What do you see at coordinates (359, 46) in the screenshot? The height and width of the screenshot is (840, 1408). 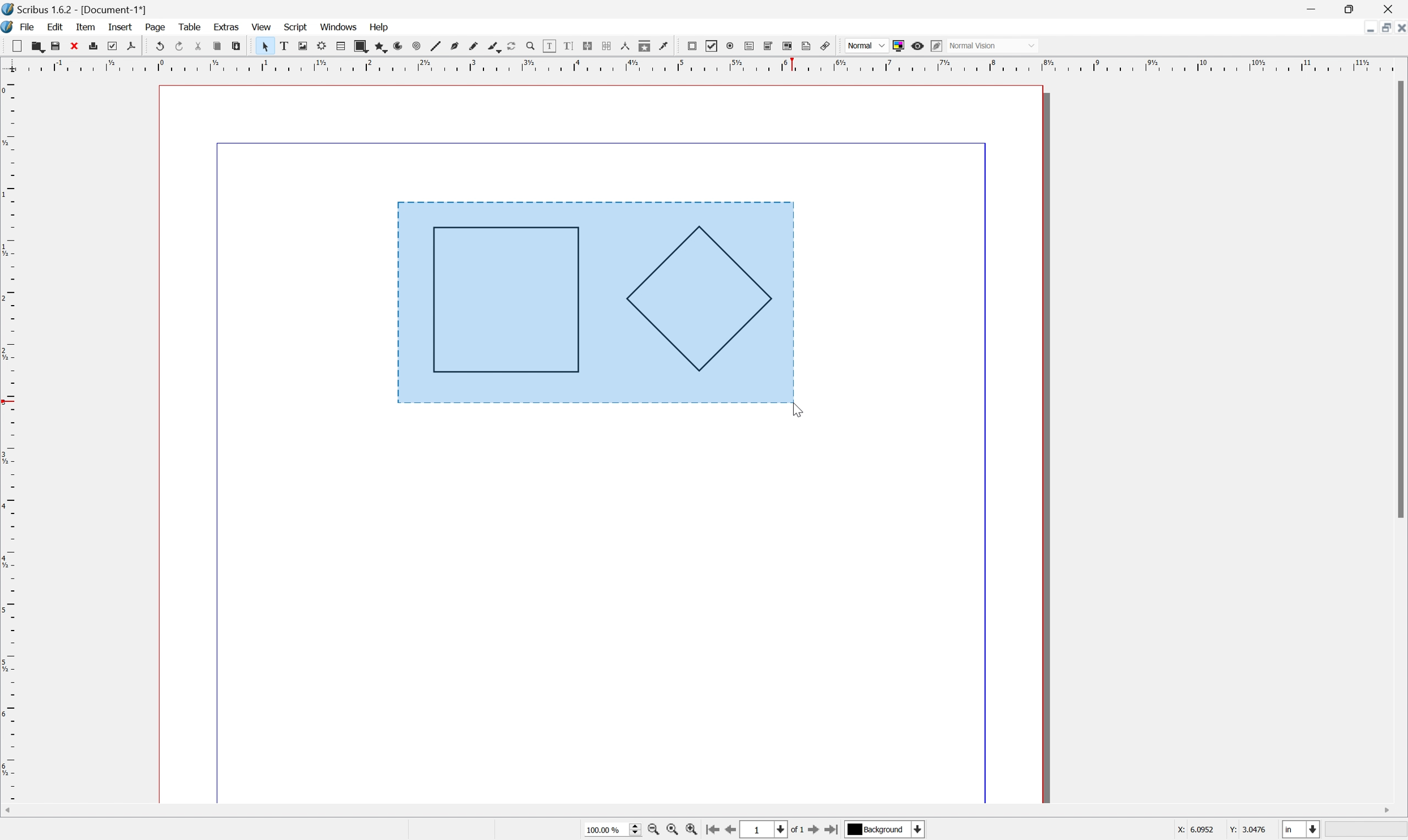 I see `shape` at bounding box center [359, 46].